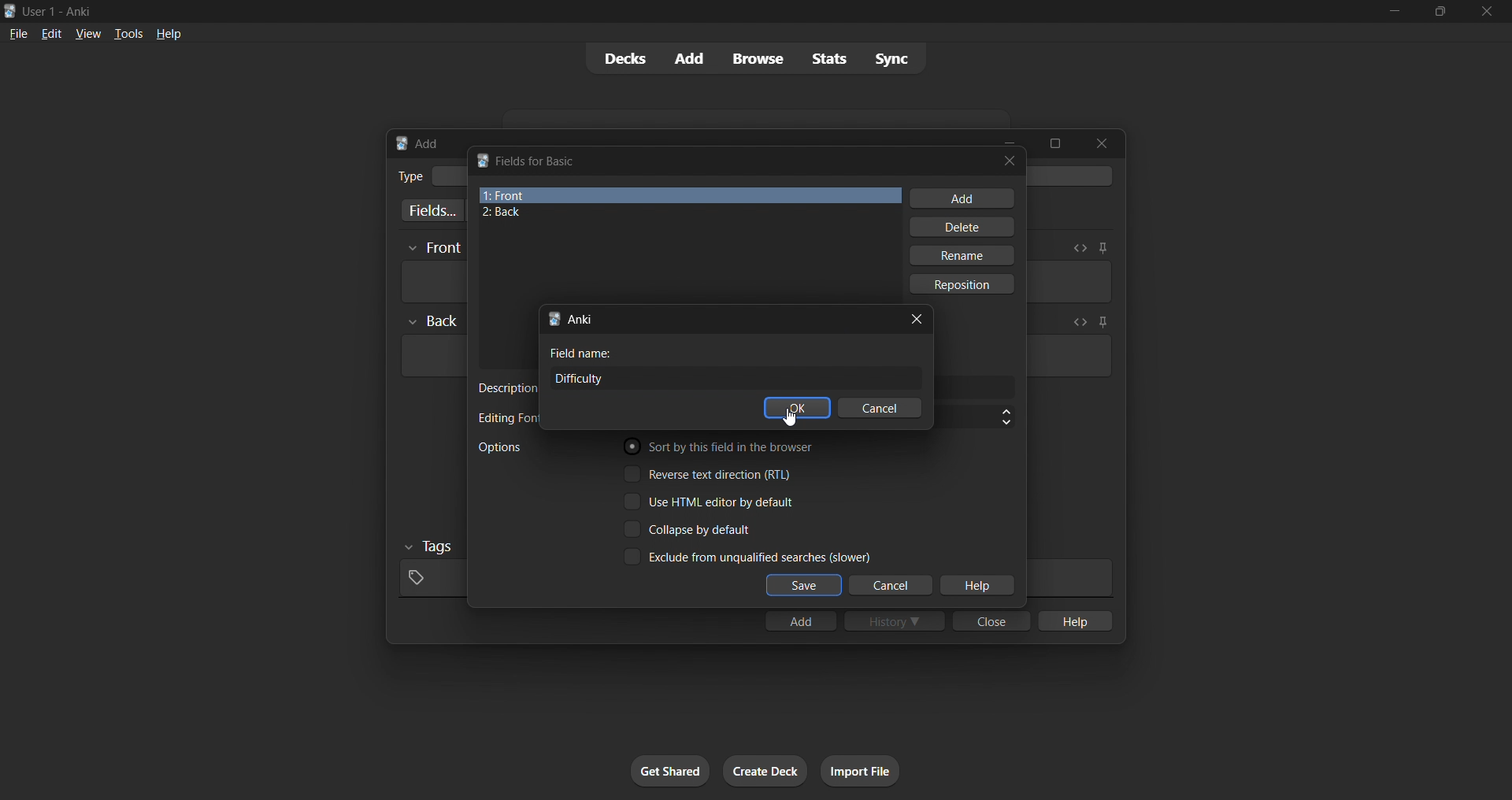 Image resolution: width=1512 pixels, height=800 pixels. I want to click on import file, so click(860, 771).